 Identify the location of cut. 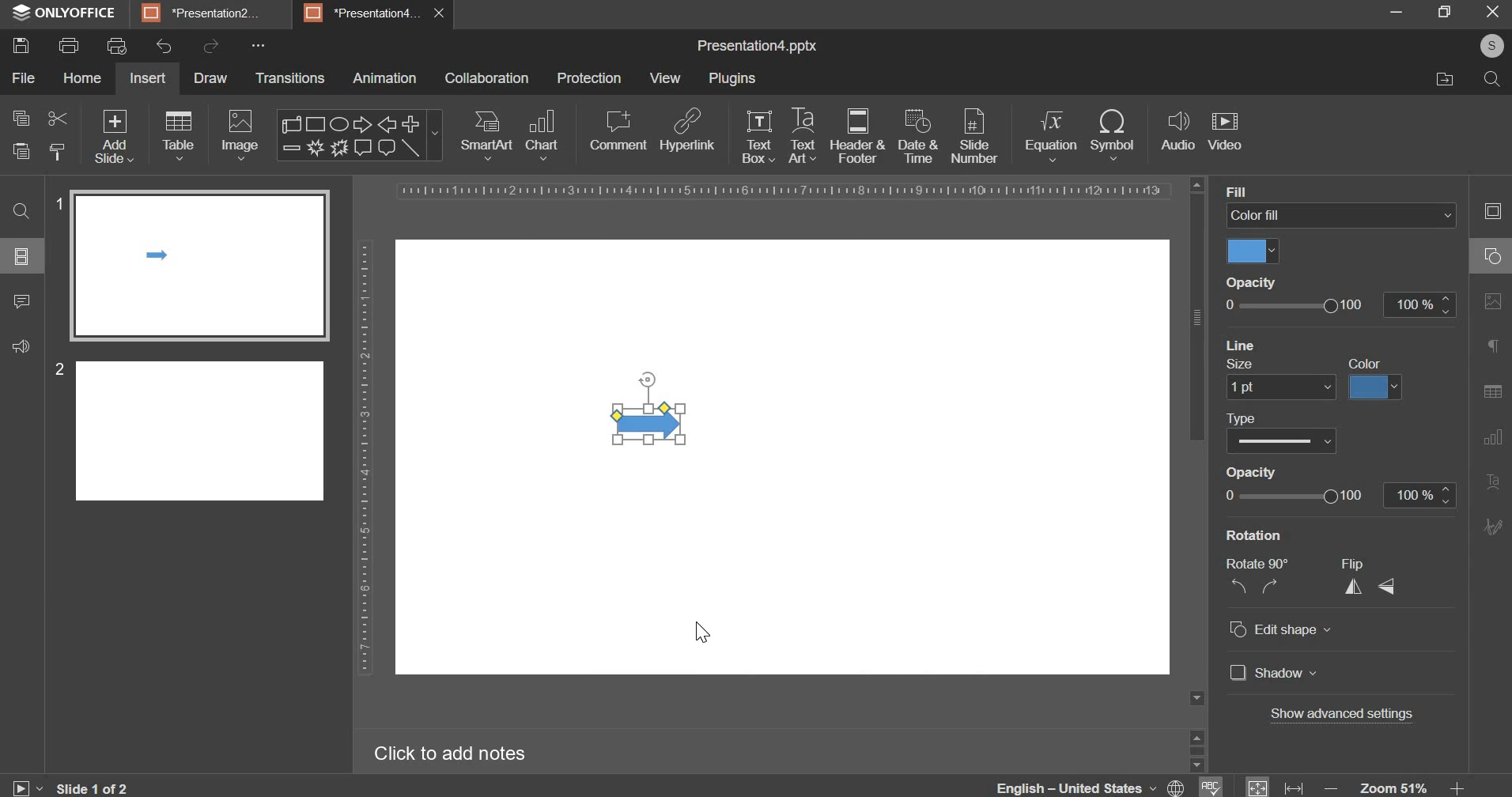
(55, 117).